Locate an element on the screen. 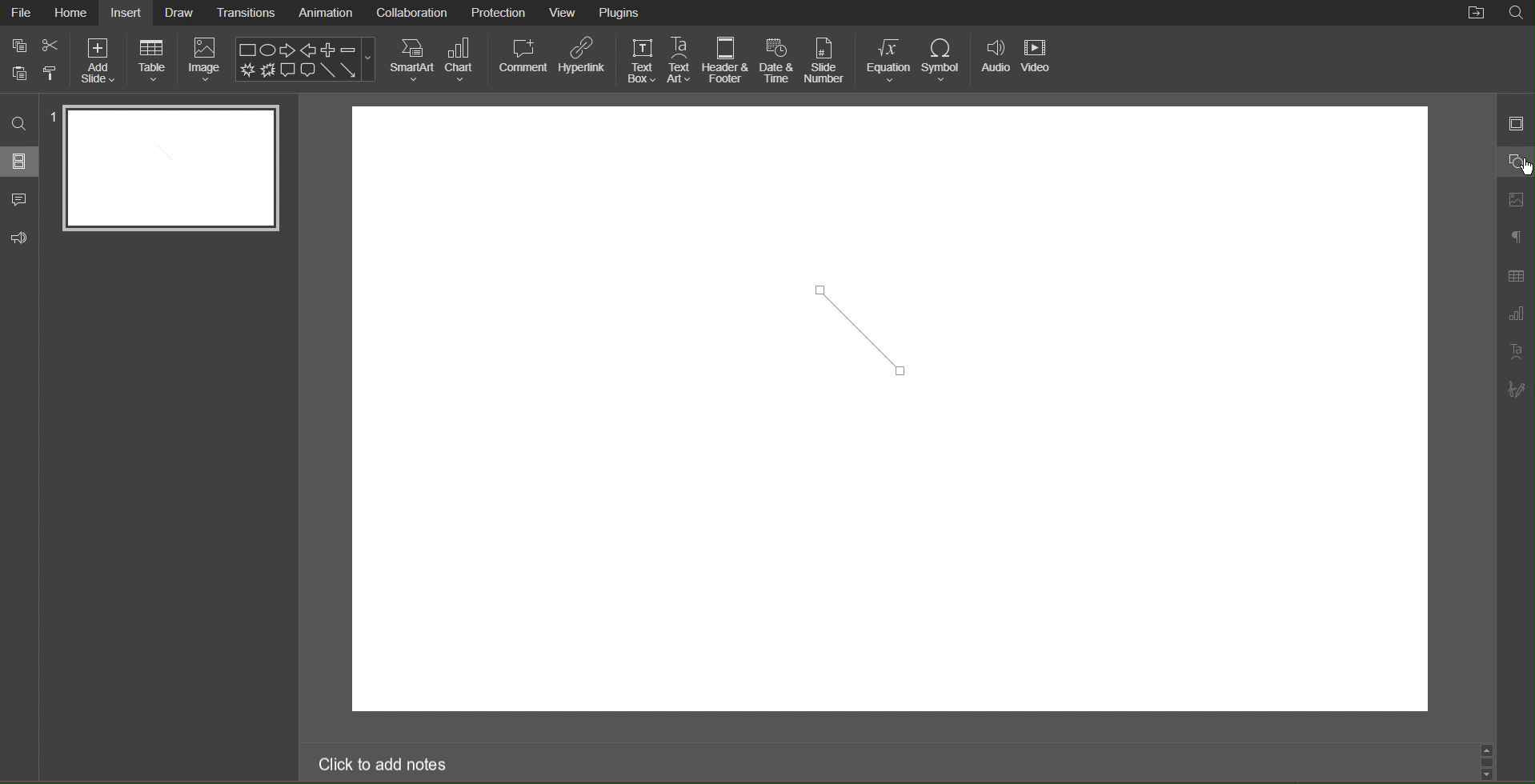  Table is located at coordinates (150, 62).